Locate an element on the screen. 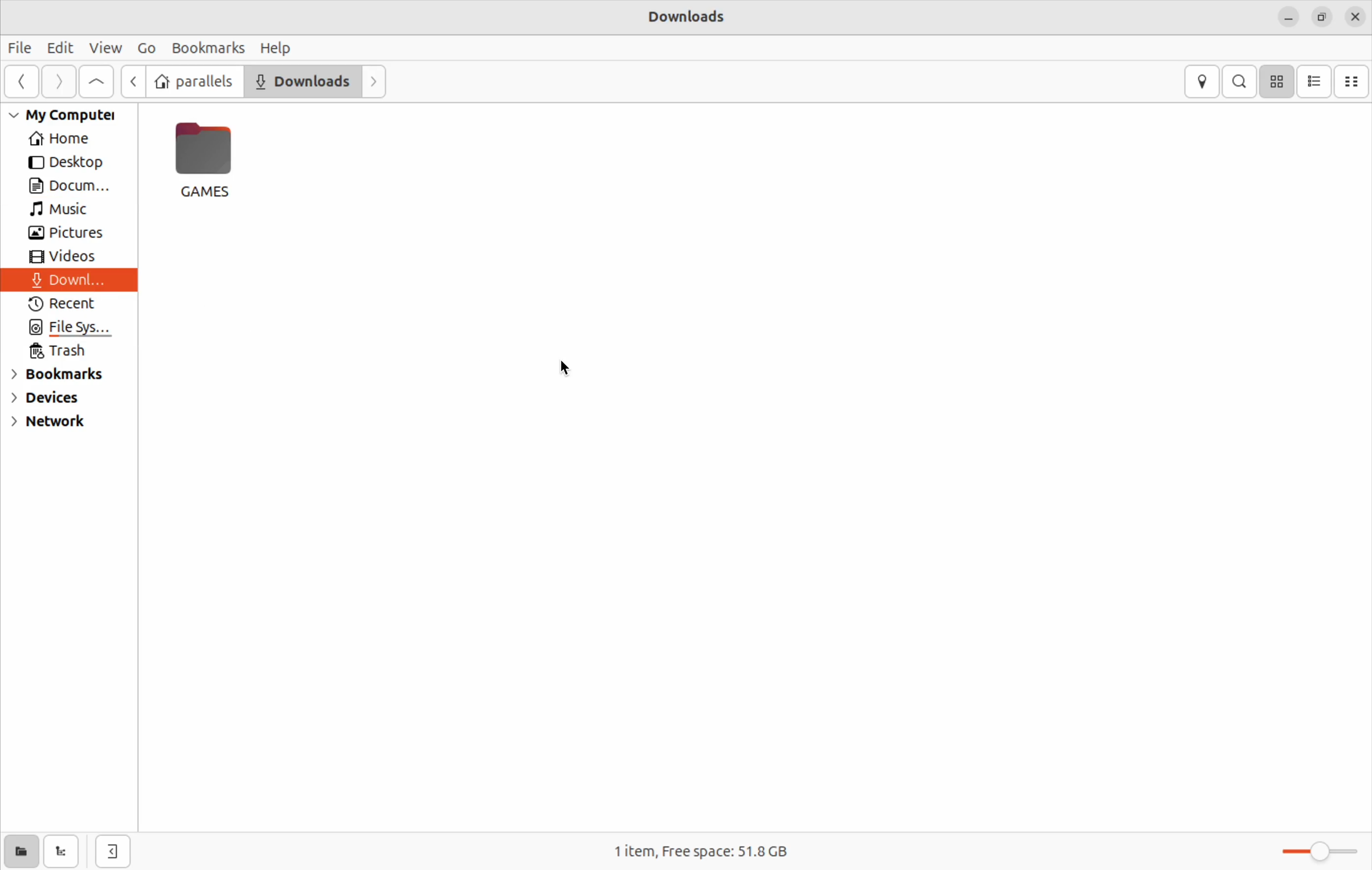 This screenshot has height=870, width=1372. file system is located at coordinates (64, 330).